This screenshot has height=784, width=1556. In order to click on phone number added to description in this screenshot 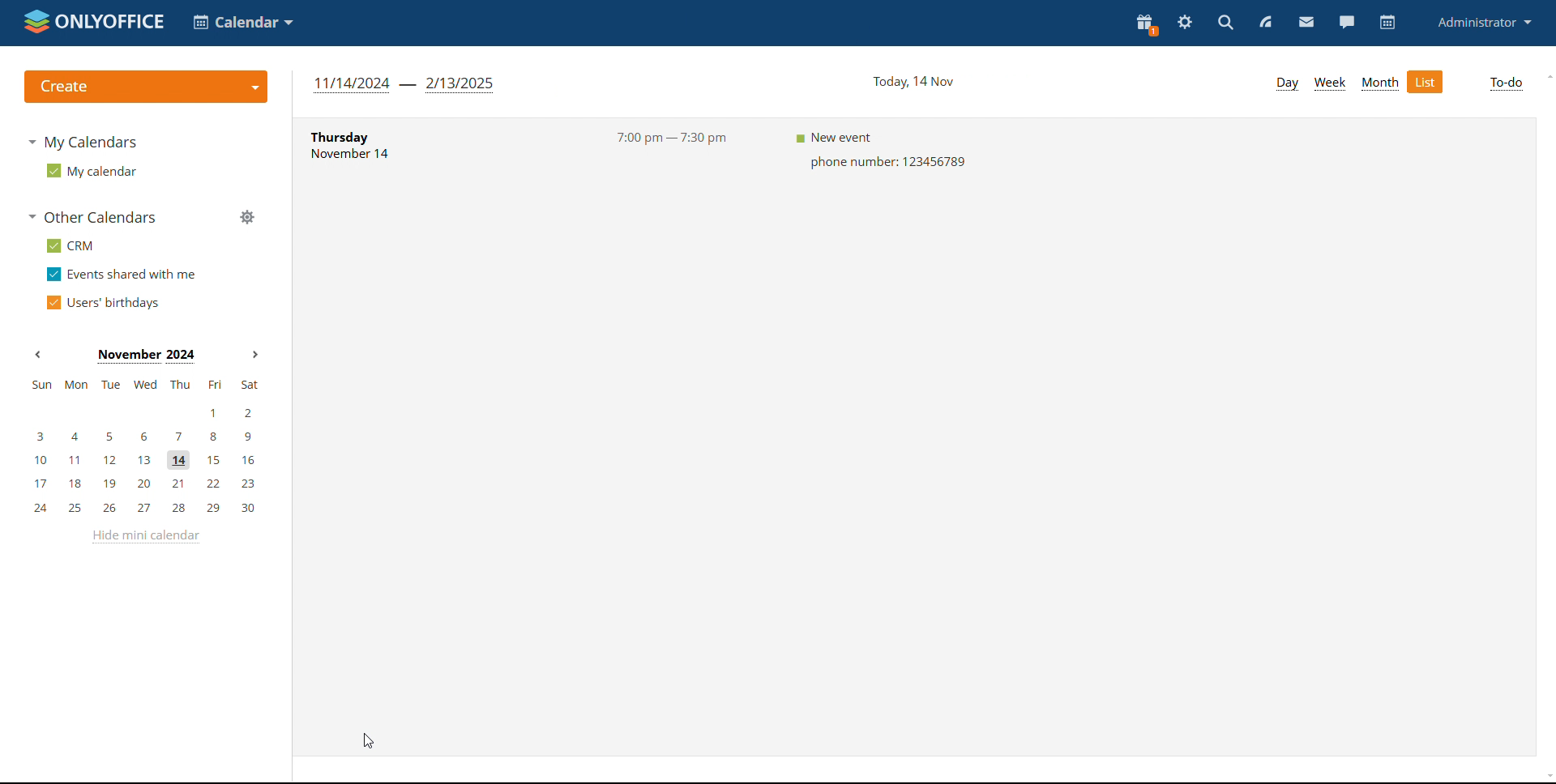, I will do `click(882, 152)`.